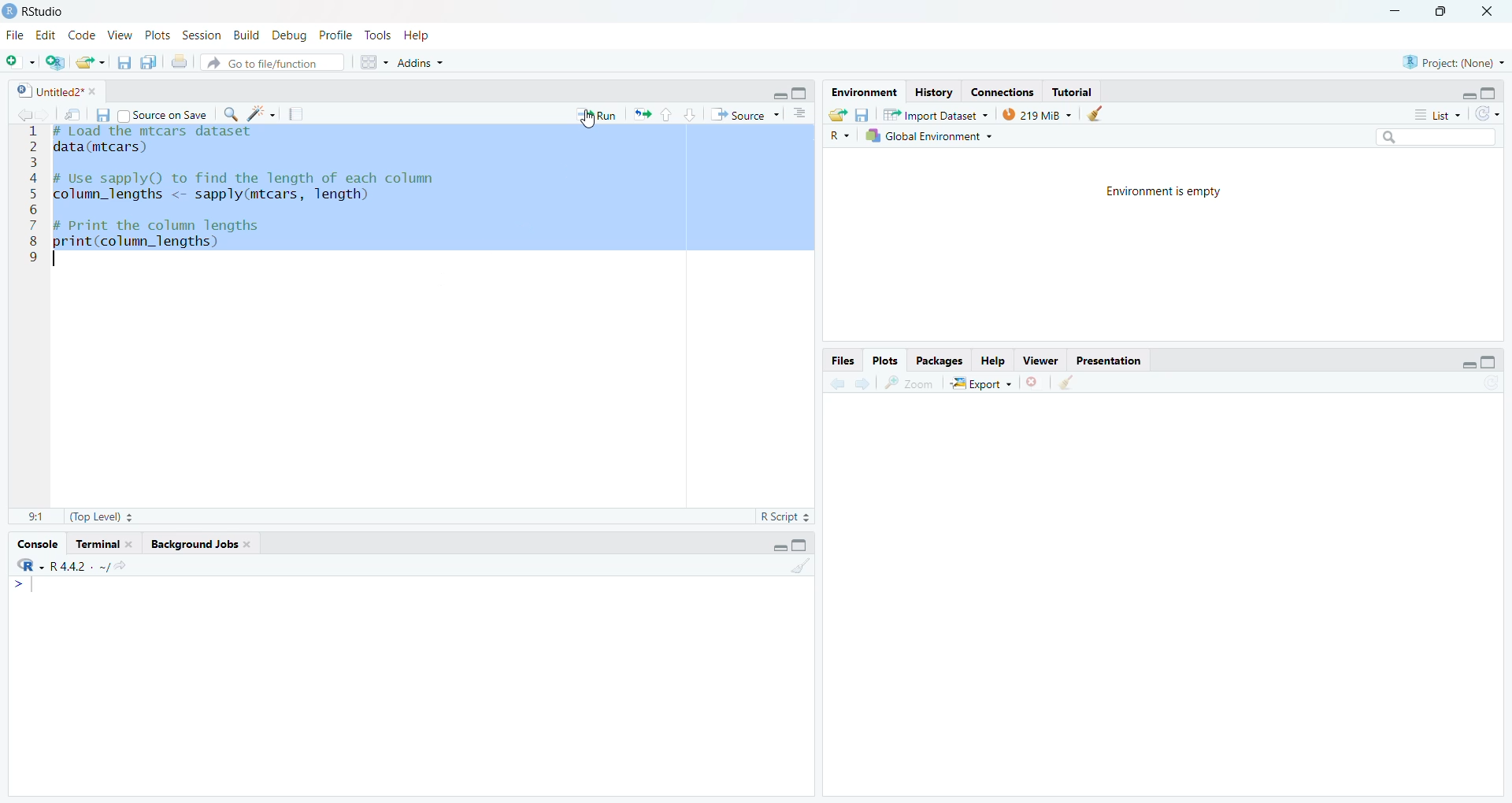  What do you see at coordinates (17, 34) in the screenshot?
I see `File` at bounding box center [17, 34].